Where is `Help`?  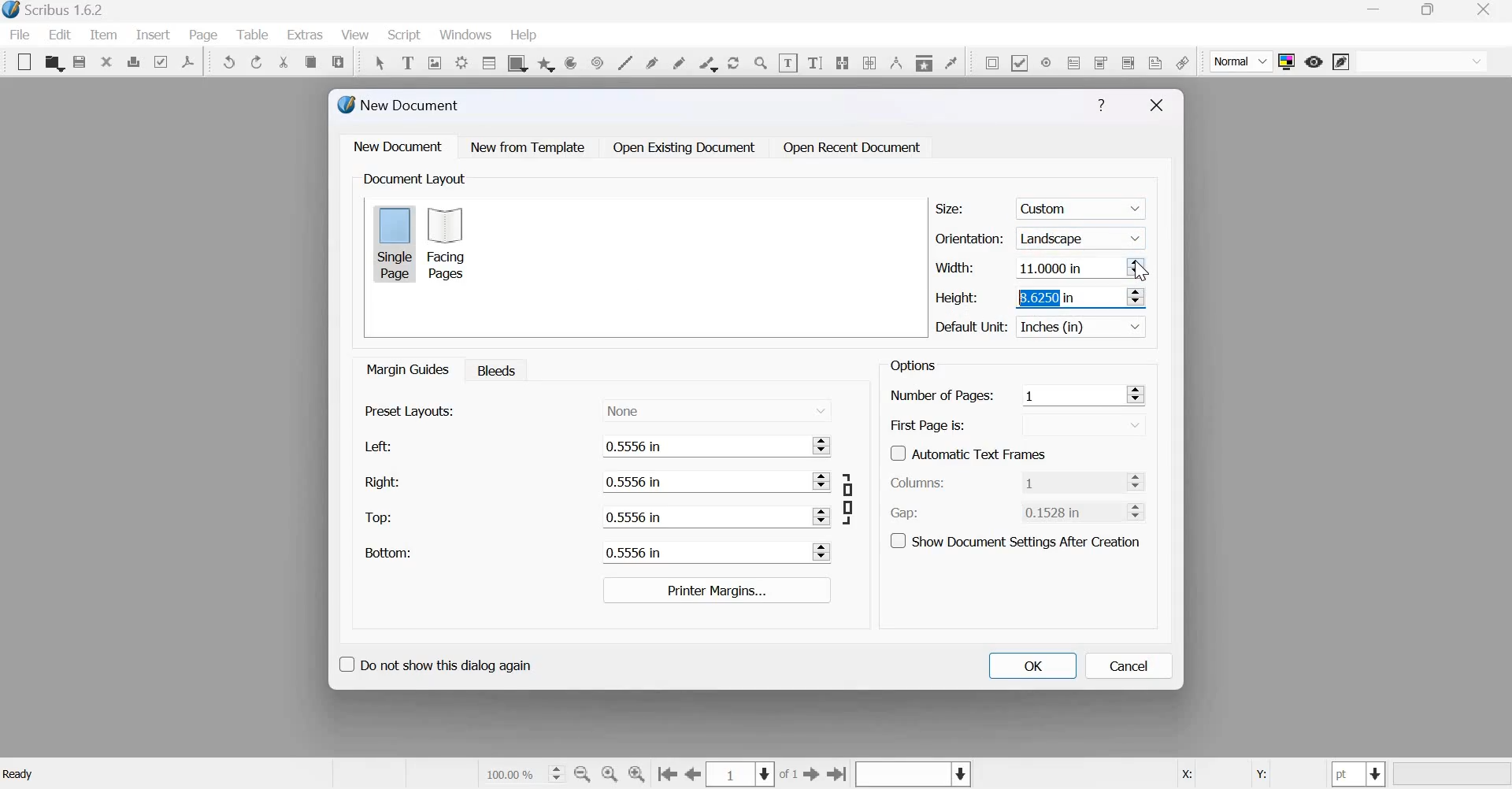
Help is located at coordinates (1101, 106).